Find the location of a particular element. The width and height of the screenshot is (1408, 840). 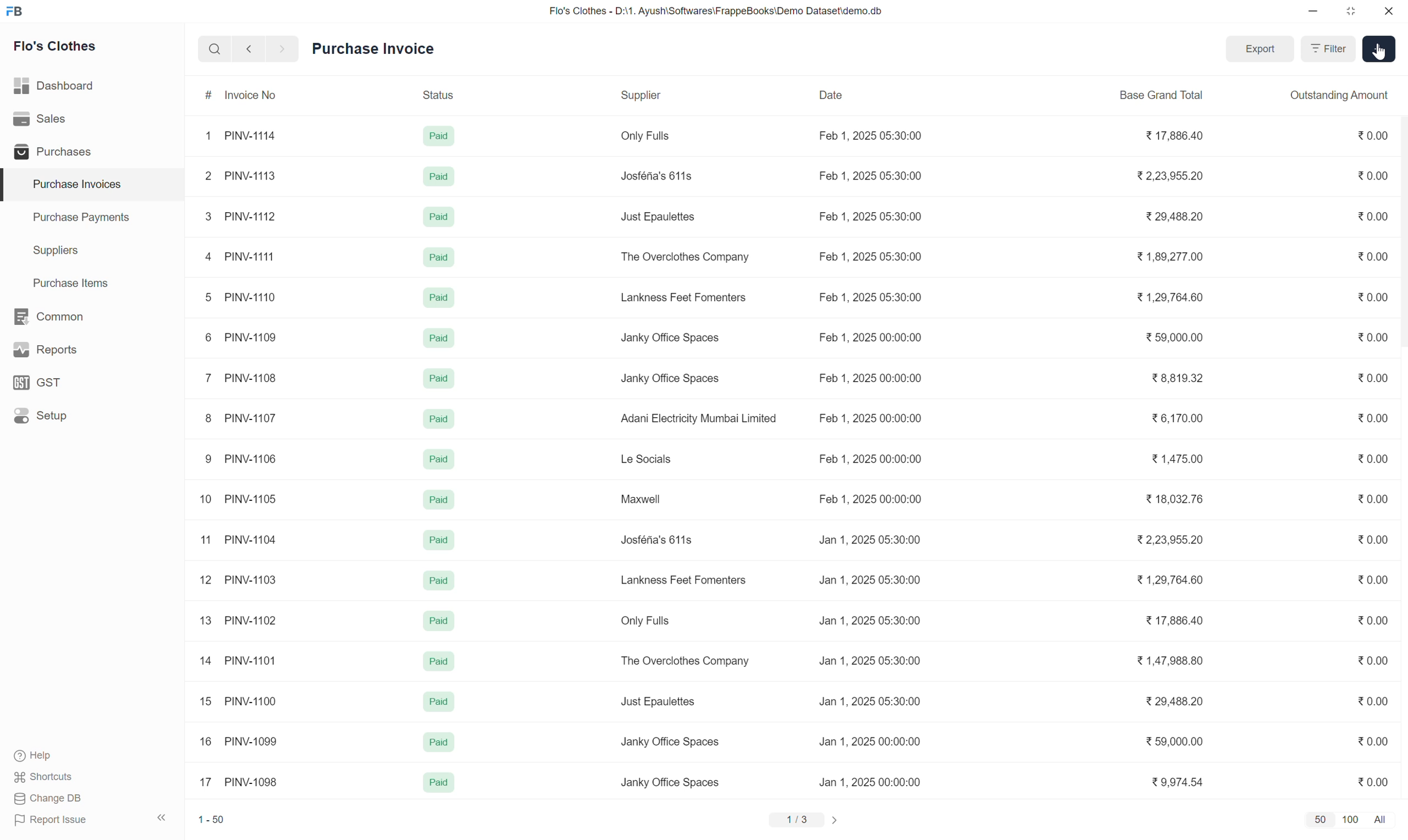

Feb 1, 2025 05:30:00 is located at coordinates (872, 216).